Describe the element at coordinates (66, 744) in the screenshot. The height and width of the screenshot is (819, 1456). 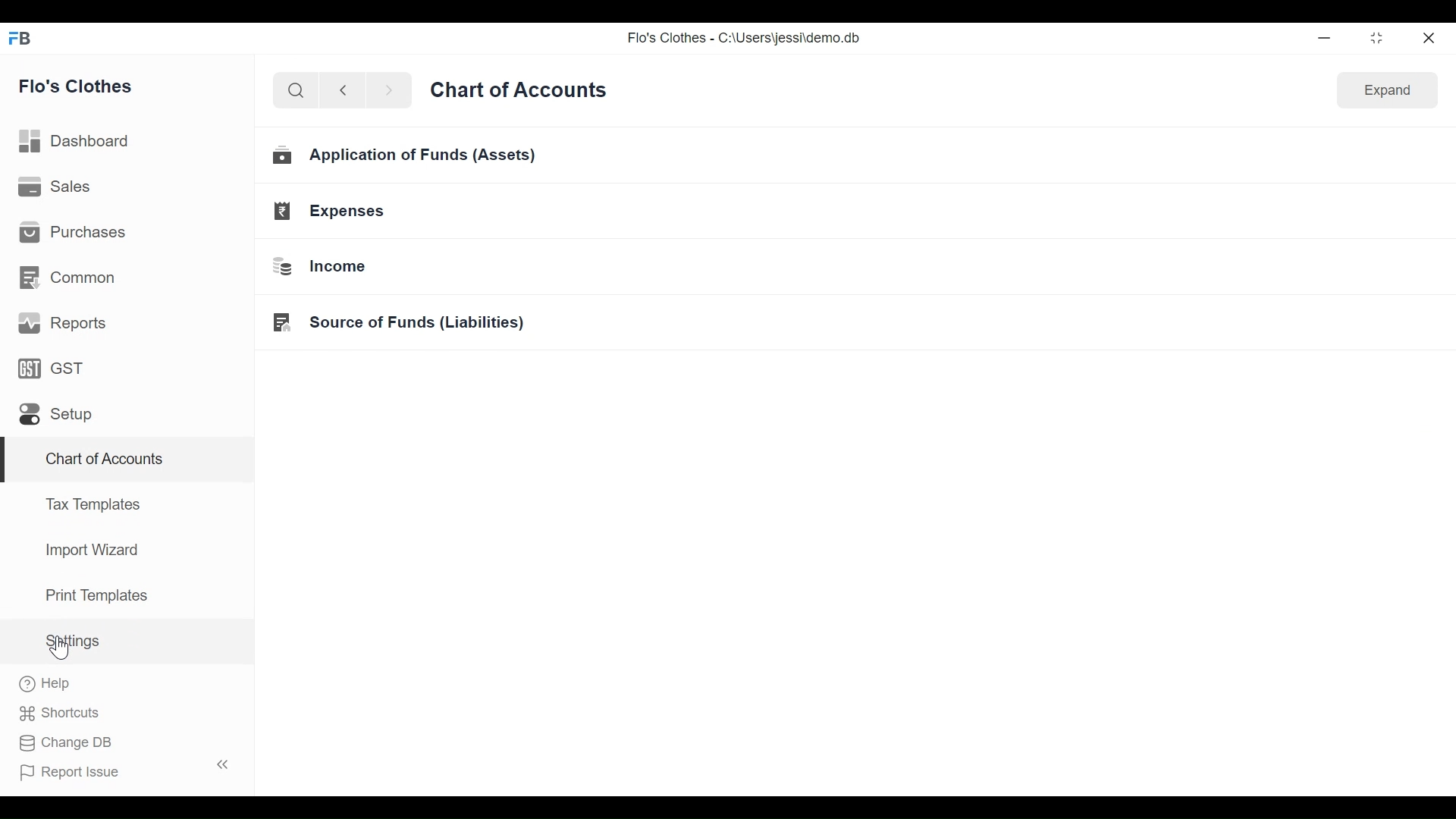
I see `Change DB` at that location.